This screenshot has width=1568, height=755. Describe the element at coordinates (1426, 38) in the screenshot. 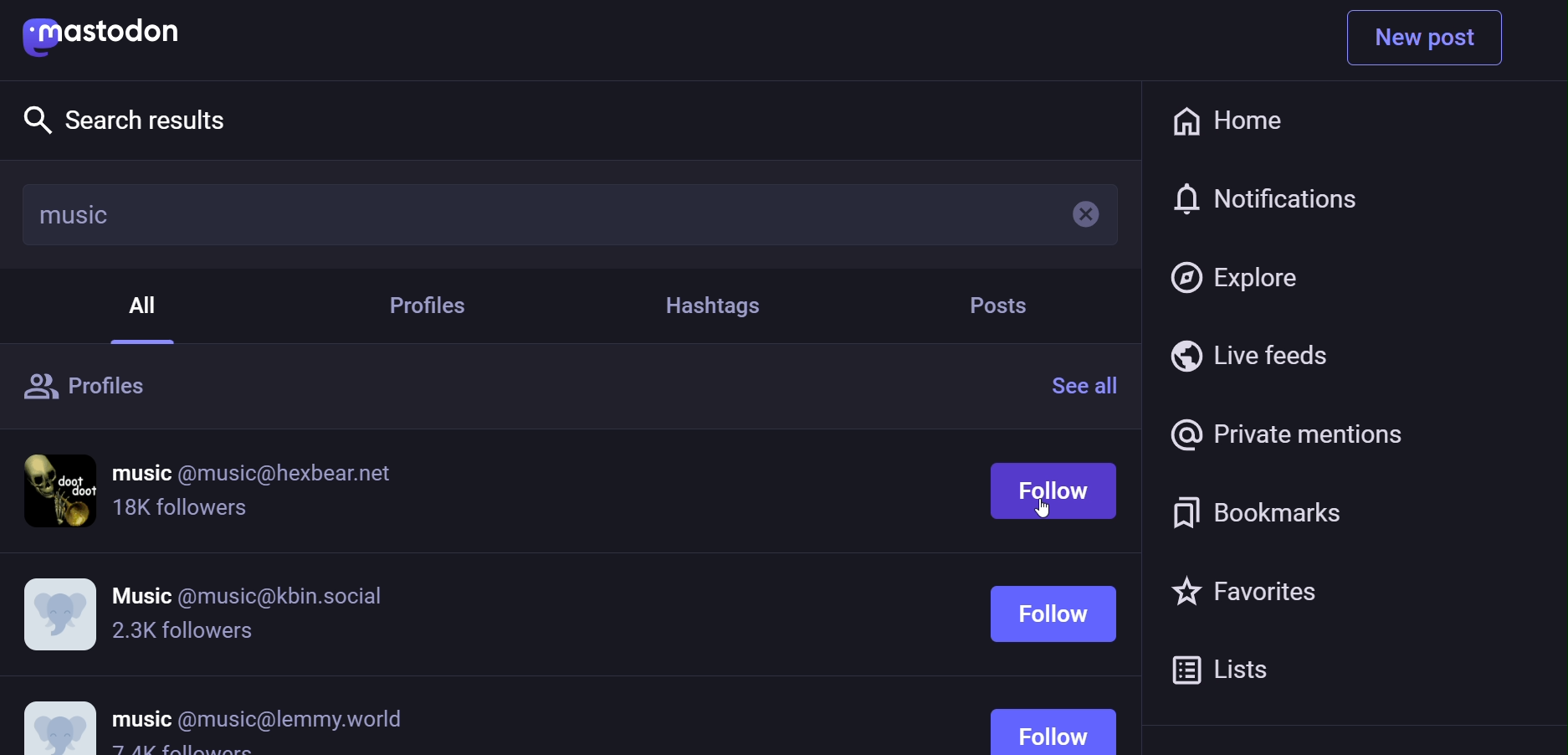

I see `new post` at that location.